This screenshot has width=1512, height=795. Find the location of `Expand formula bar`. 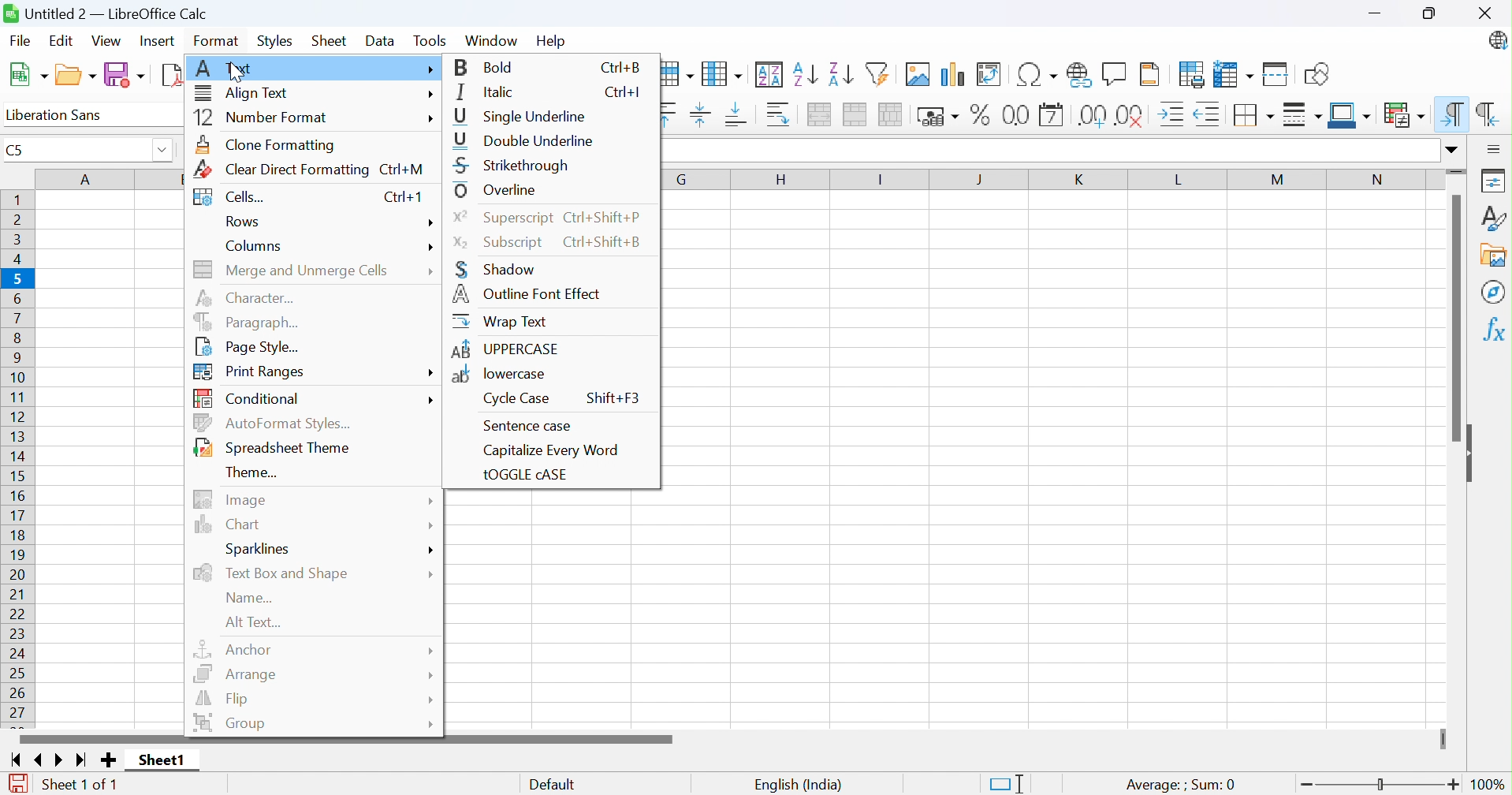

Expand formula bar is located at coordinates (1455, 150).